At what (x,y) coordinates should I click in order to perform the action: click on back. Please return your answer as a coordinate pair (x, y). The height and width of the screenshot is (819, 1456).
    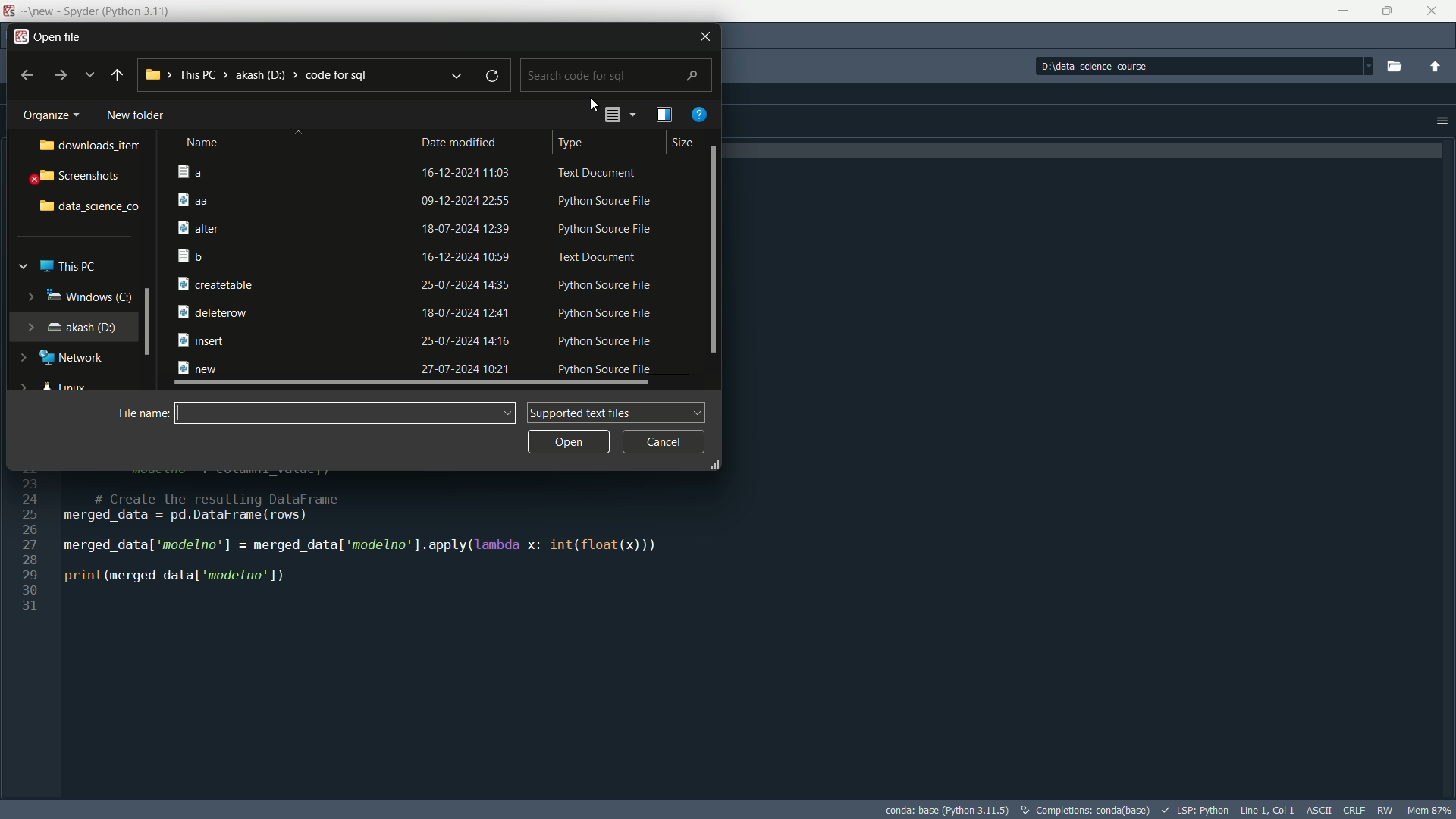
    Looking at the image, I should click on (117, 76).